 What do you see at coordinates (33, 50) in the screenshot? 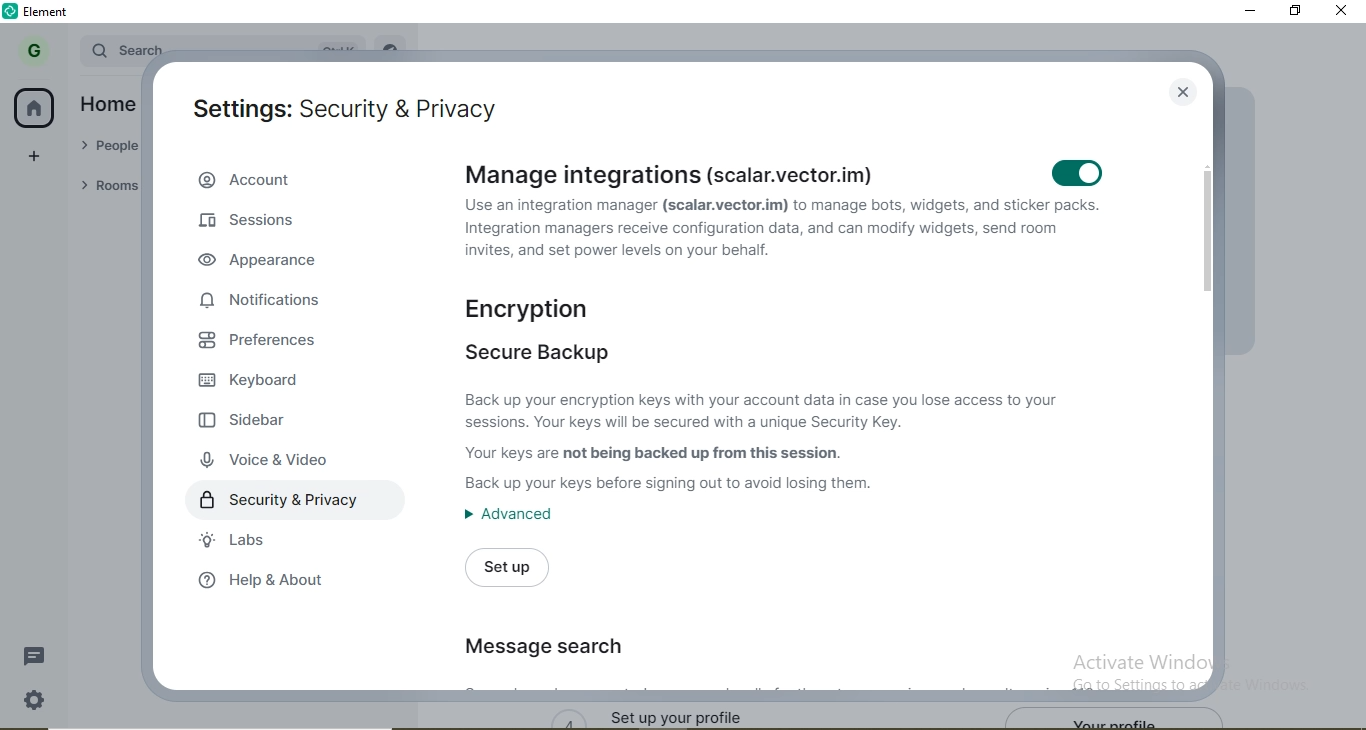
I see `G` at bounding box center [33, 50].